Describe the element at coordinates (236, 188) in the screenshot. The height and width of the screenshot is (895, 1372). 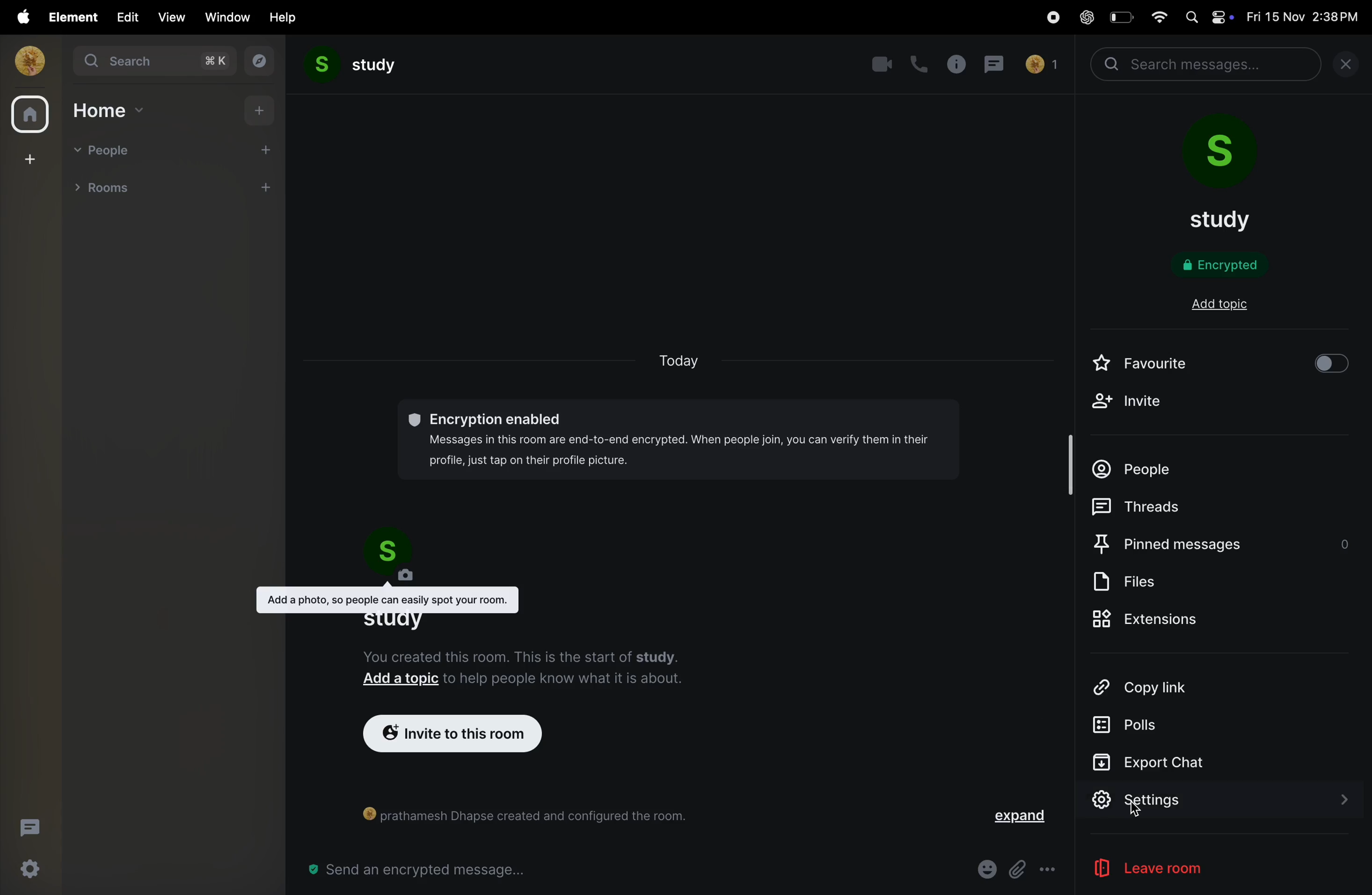
I see `more options` at that location.